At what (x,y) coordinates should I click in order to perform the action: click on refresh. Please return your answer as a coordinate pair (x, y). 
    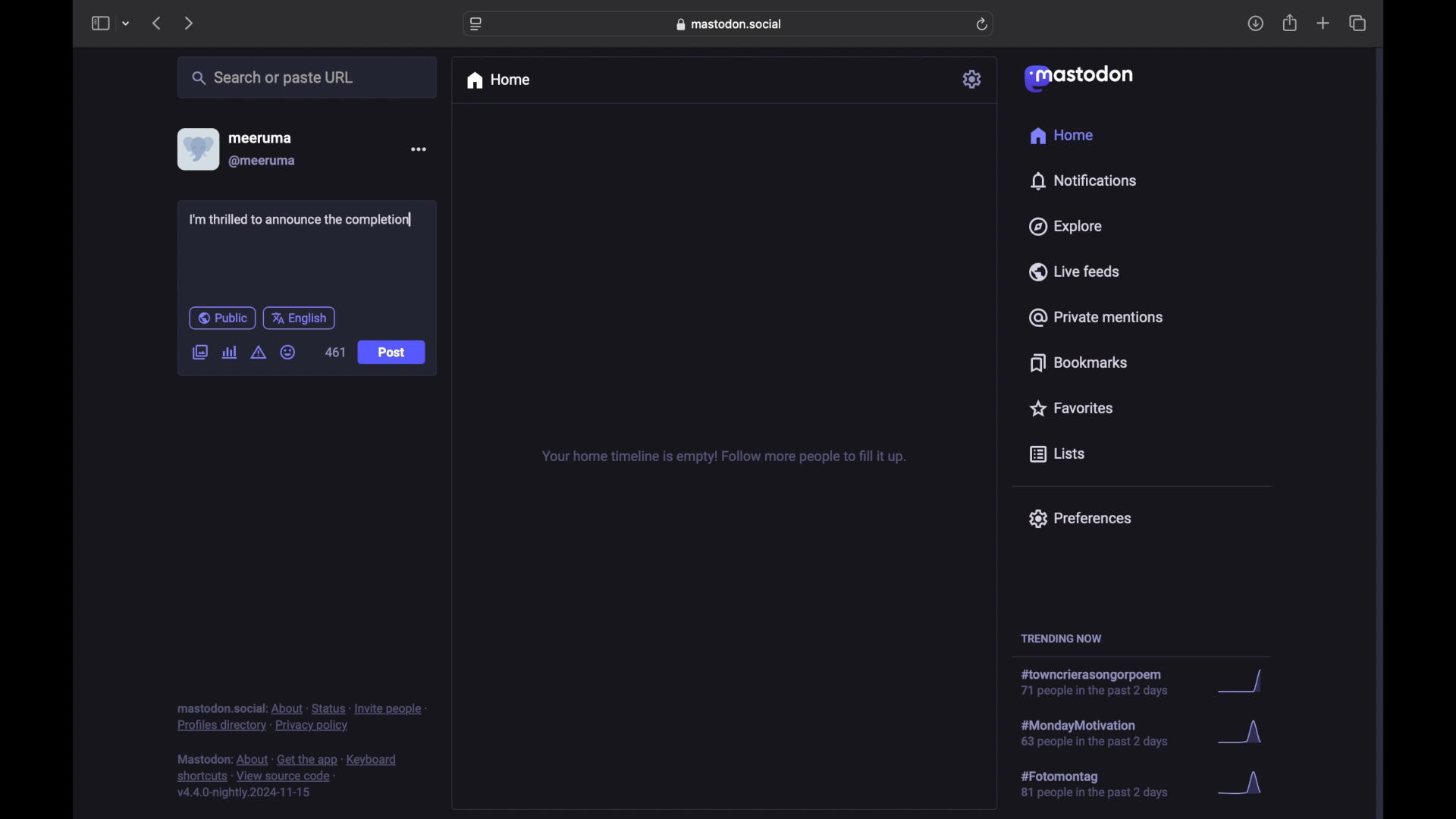
    Looking at the image, I should click on (982, 24).